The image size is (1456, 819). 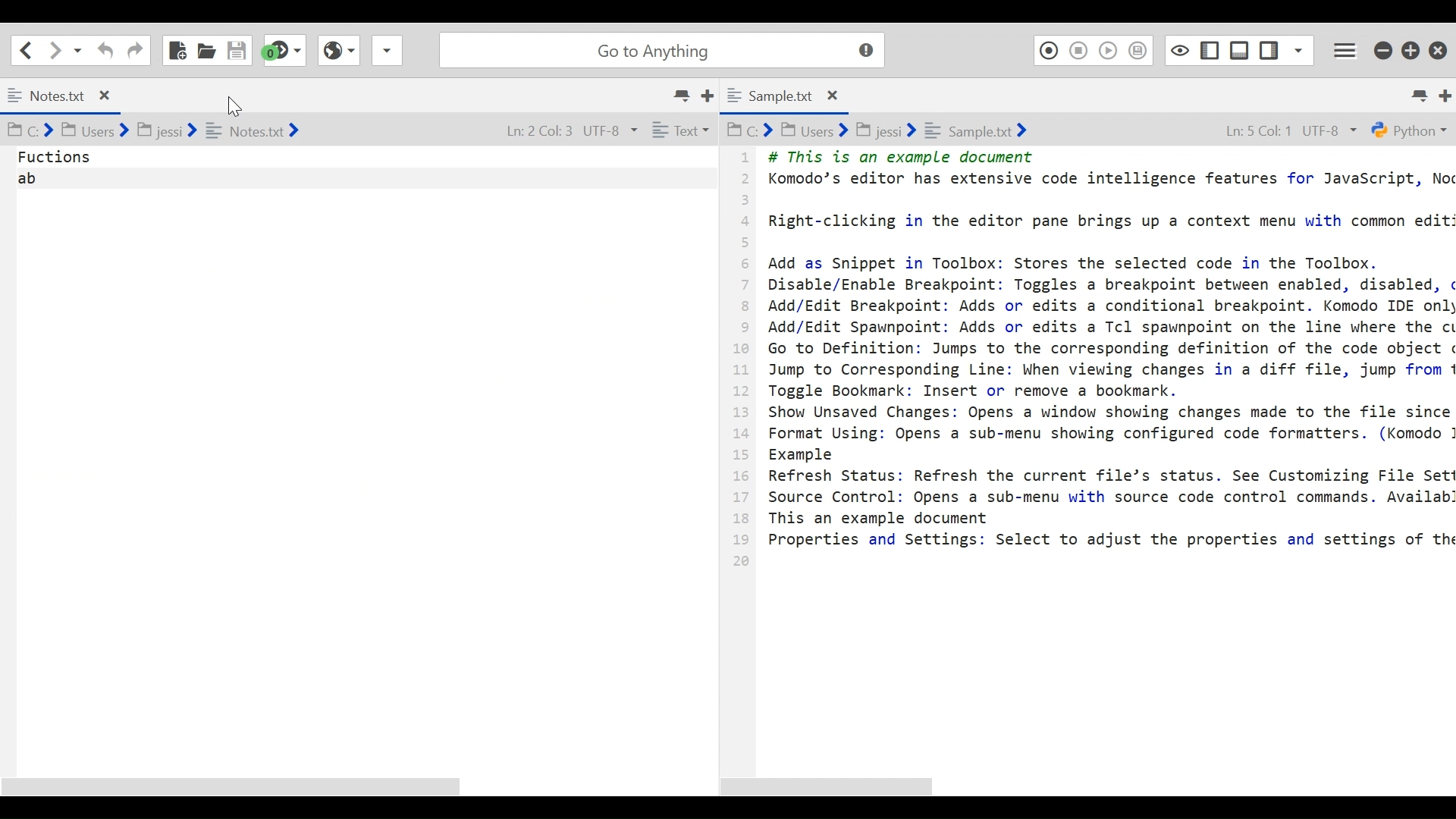 I want to click on Sample.txt  , so click(x=798, y=96).